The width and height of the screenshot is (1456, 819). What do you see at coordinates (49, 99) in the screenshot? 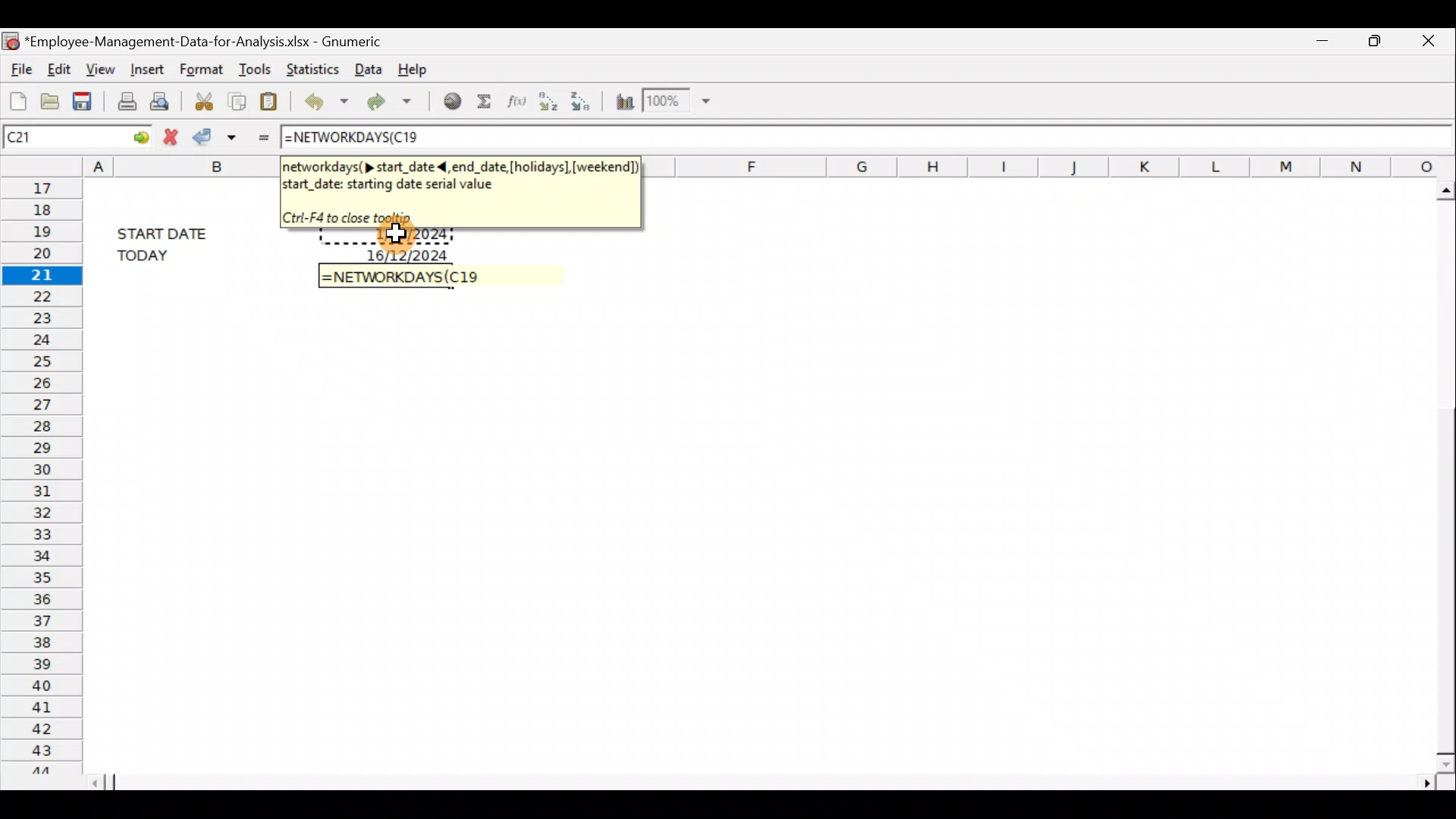
I see `Open a file` at bounding box center [49, 99].